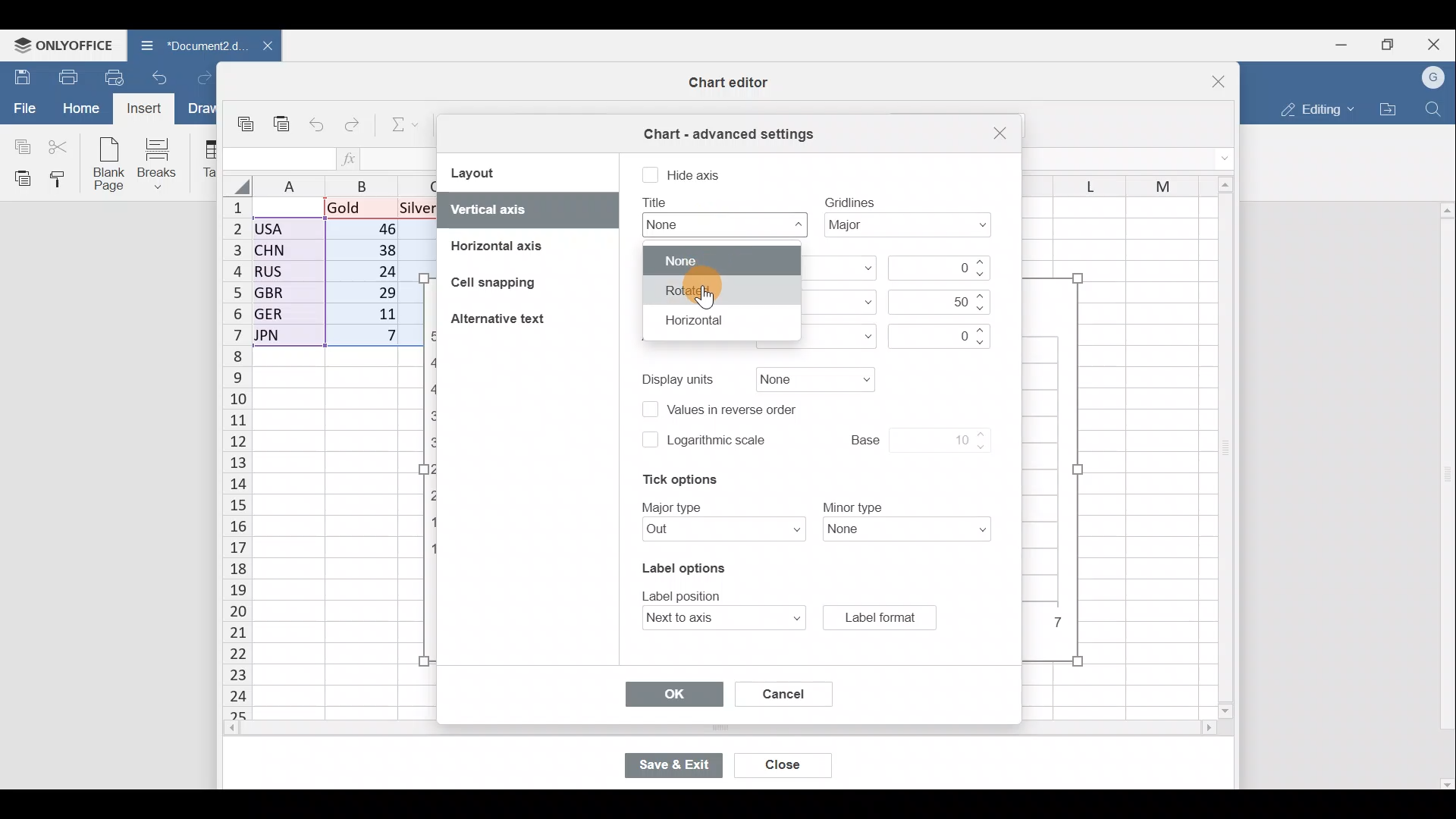  Describe the element at coordinates (851, 505) in the screenshot. I see `text` at that location.